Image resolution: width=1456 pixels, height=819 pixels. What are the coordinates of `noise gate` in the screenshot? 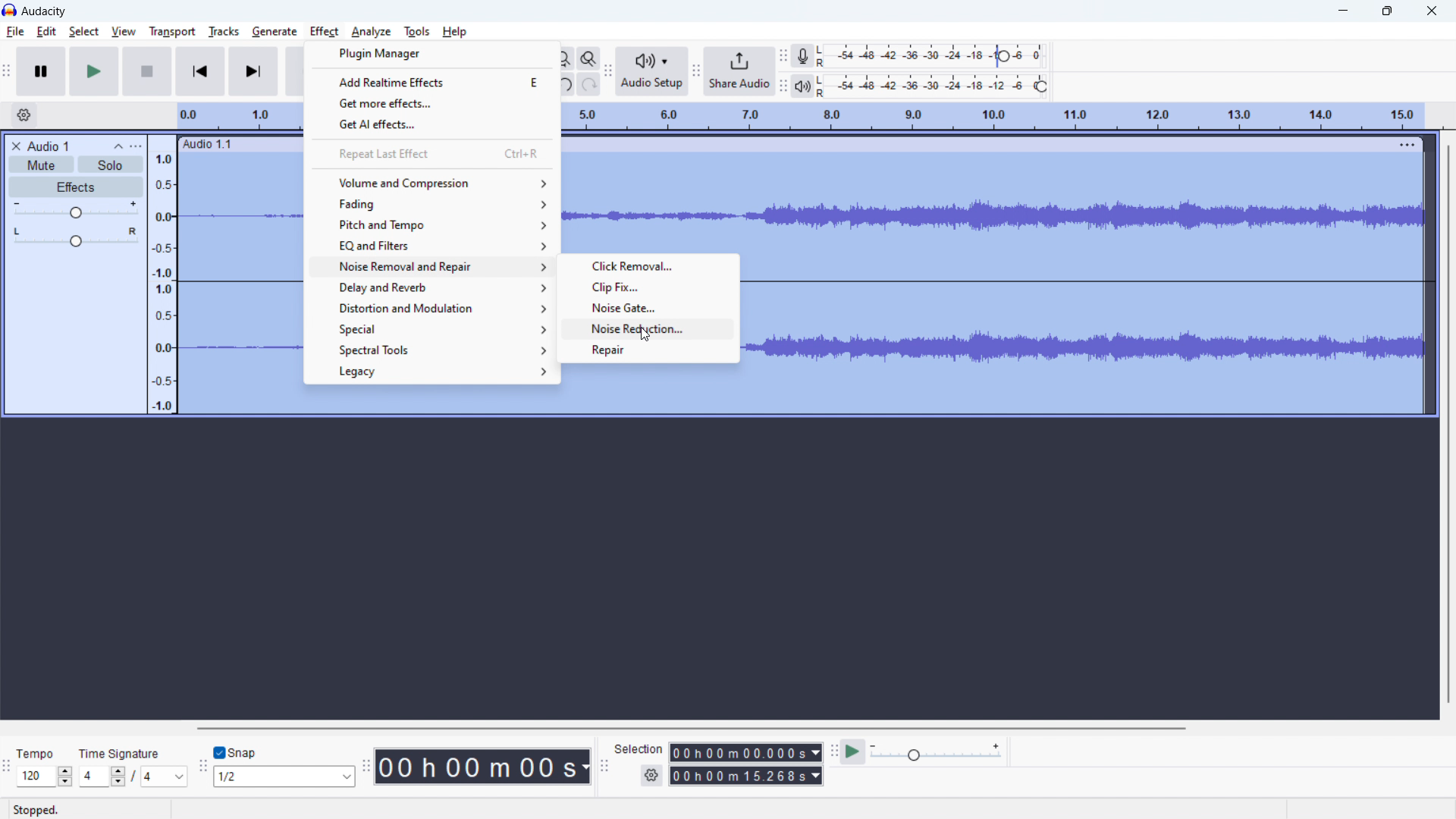 It's located at (648, 308).